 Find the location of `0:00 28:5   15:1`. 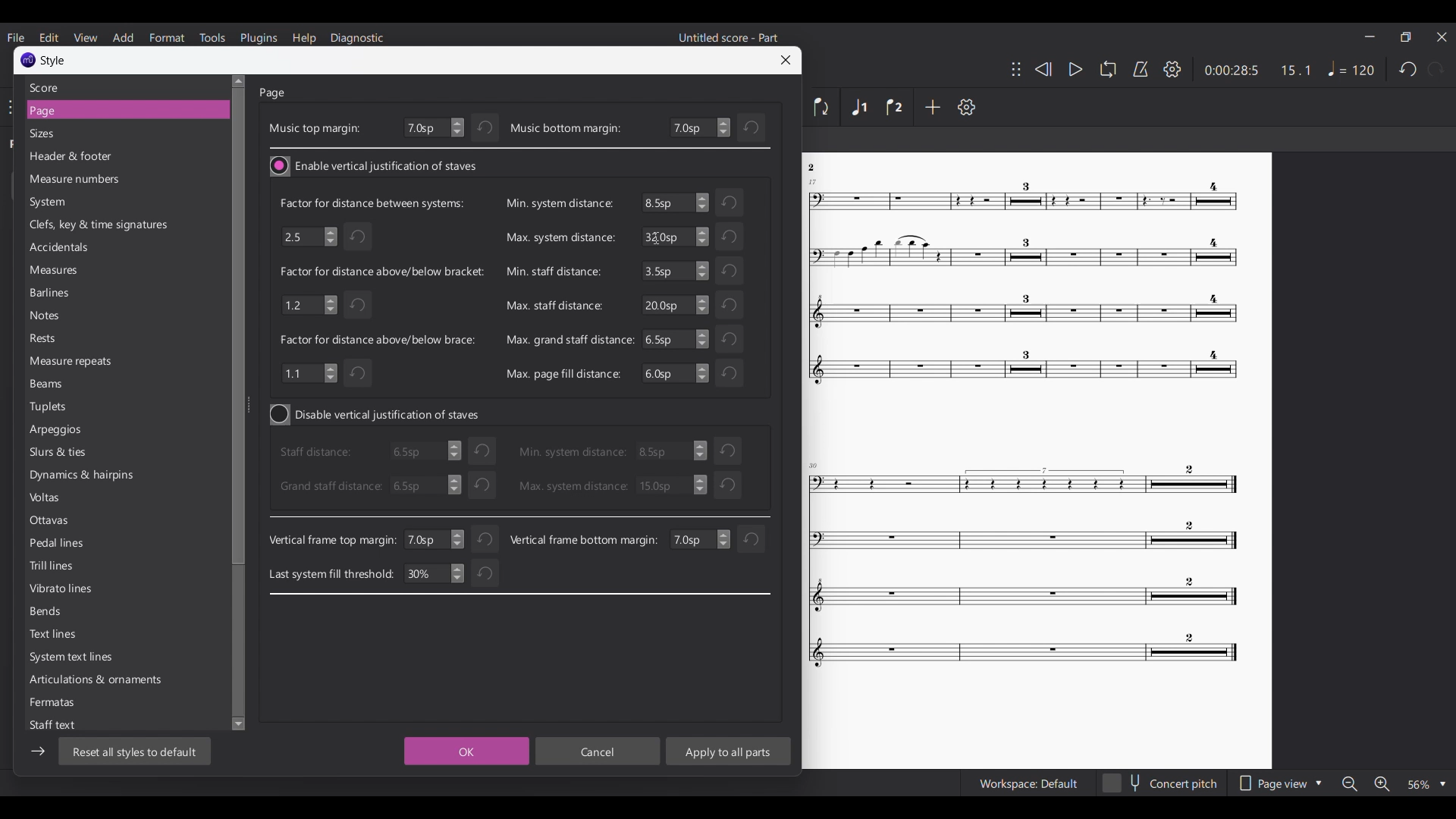

0:00 28:5   15:1 is located at coordinates (1257, 71).